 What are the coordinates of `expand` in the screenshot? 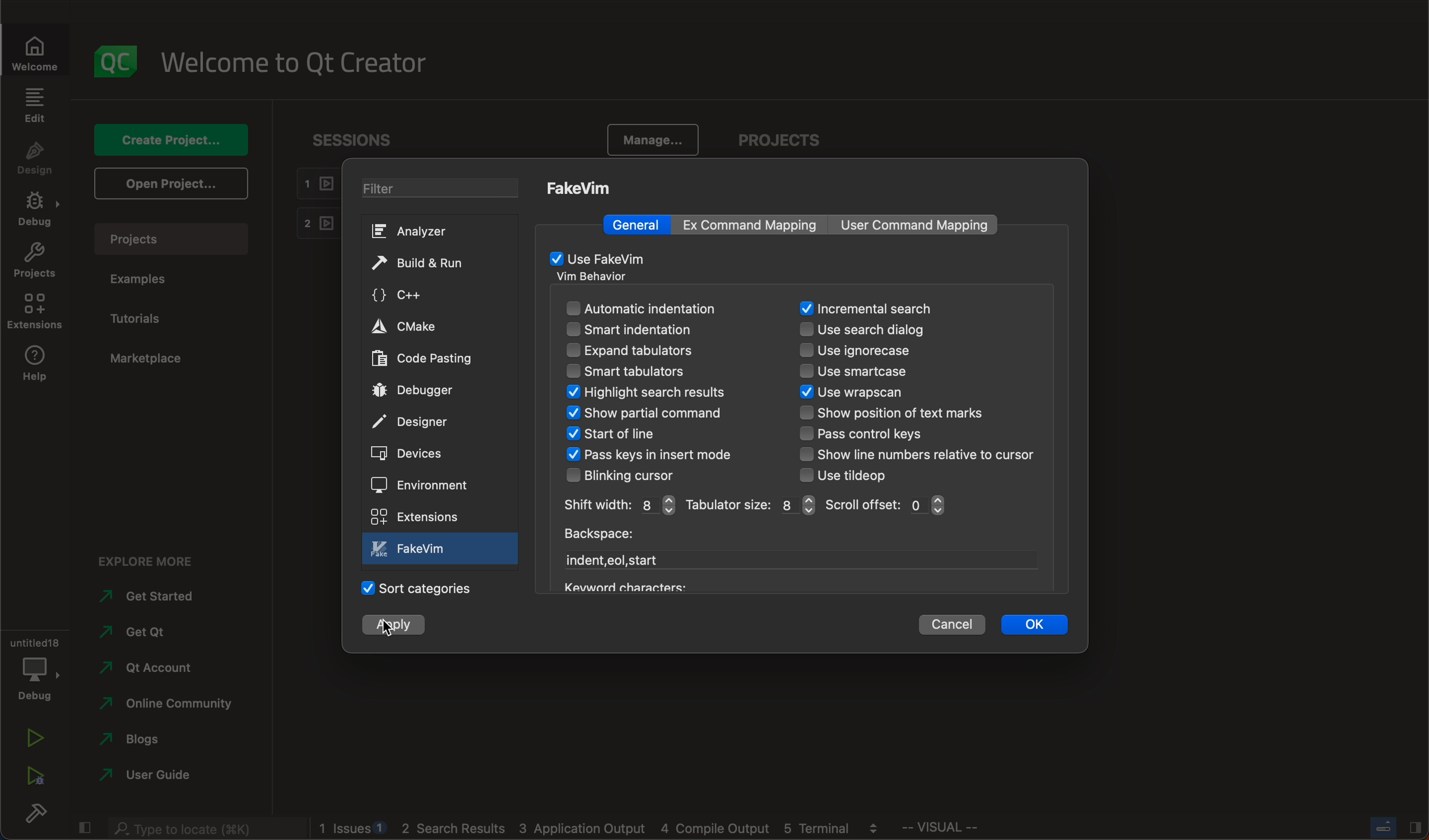 It's located at (654, 352).